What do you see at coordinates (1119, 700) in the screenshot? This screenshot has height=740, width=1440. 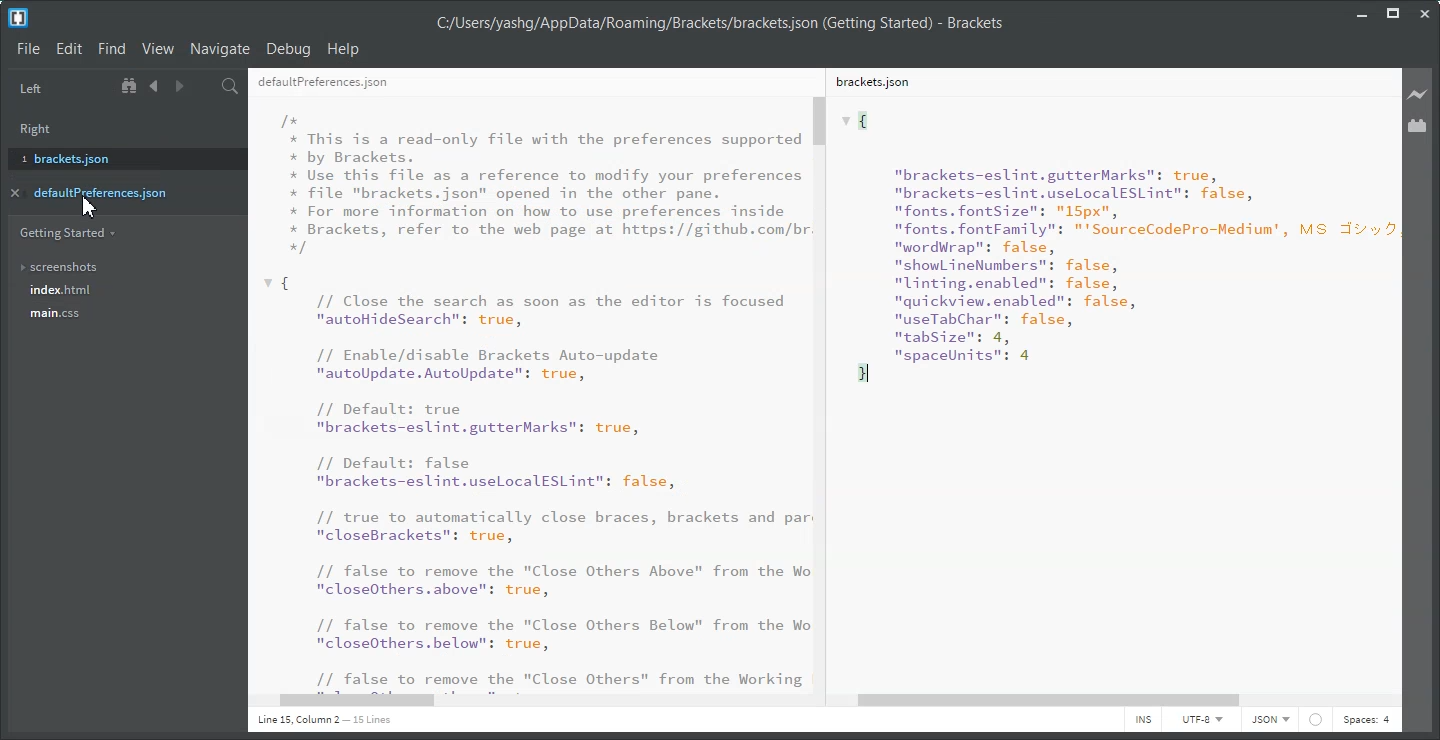 I see `Horizontal Scroll Bar` at bounding box center [1119, 700].